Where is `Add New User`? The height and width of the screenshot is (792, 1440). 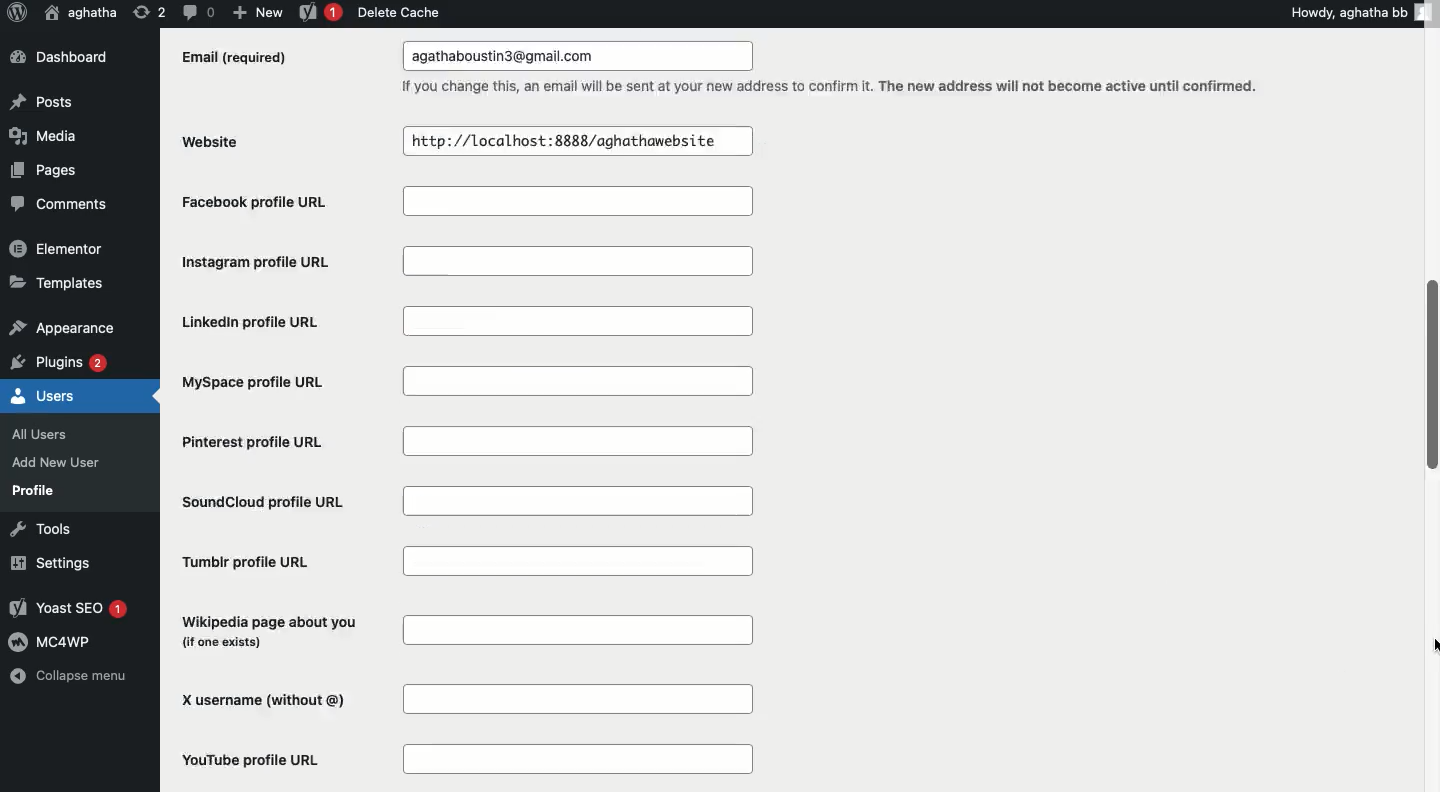 Add New User is located at coordinates (54, 462).